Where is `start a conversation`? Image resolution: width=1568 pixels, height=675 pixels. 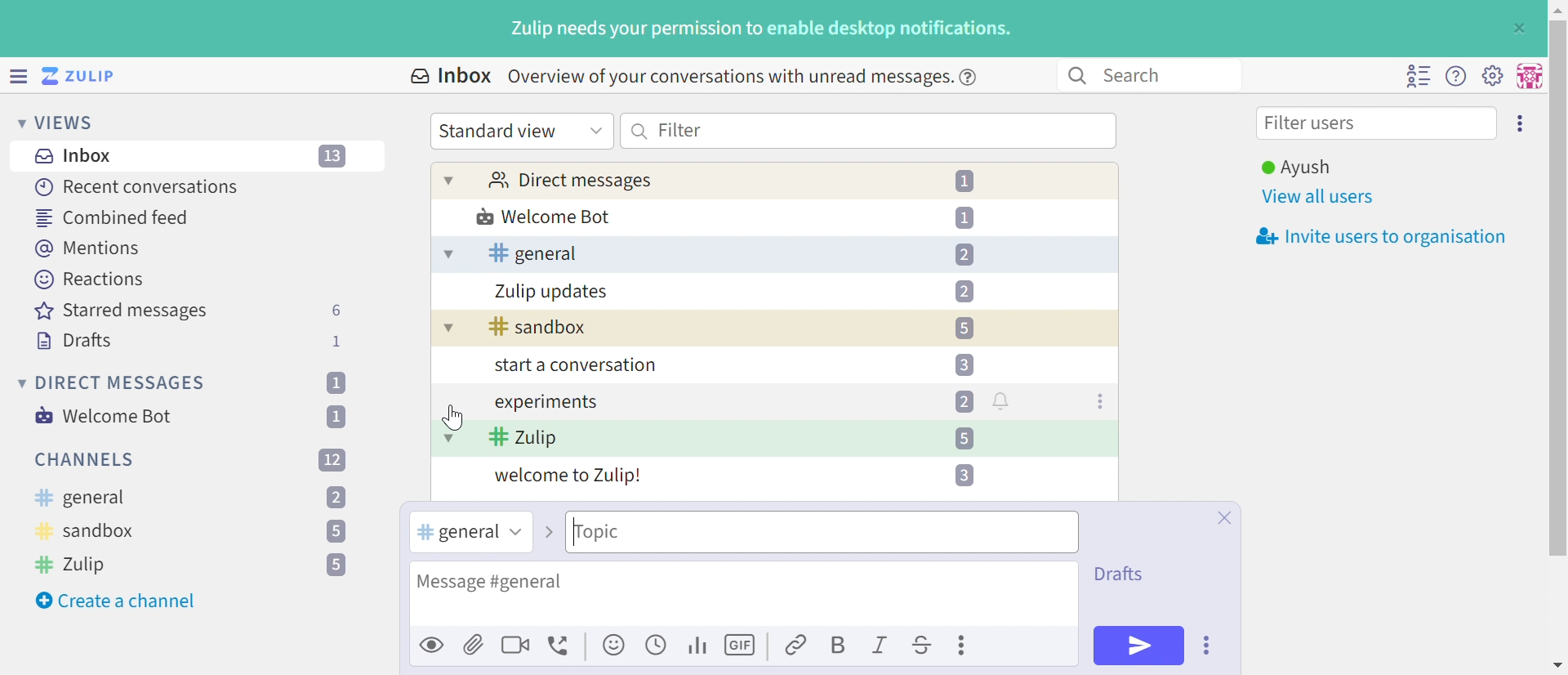
start a conversation is located at coordinates (572, 367).